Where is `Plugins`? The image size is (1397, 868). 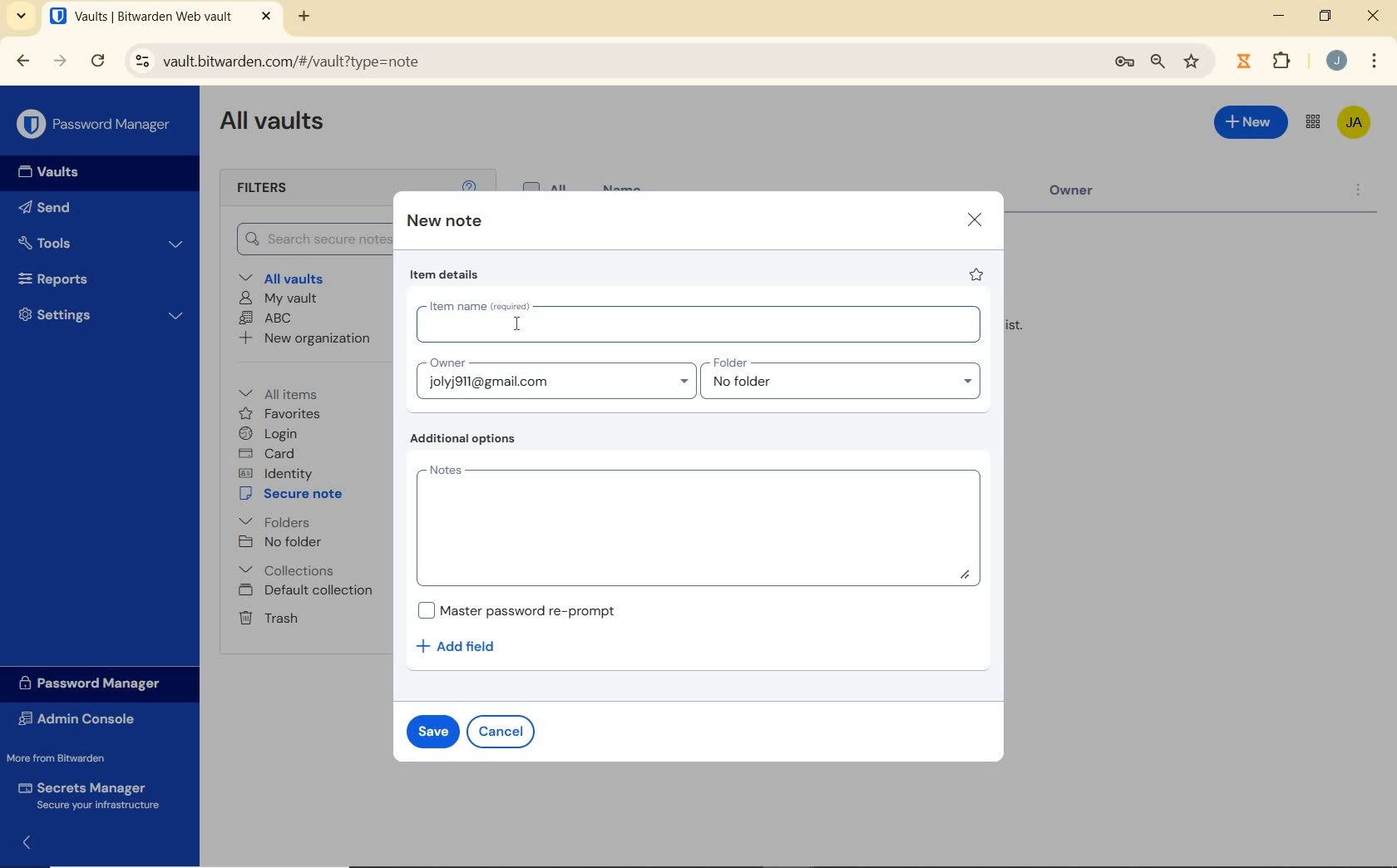 Plugins is located at coordinates (1285, 59).